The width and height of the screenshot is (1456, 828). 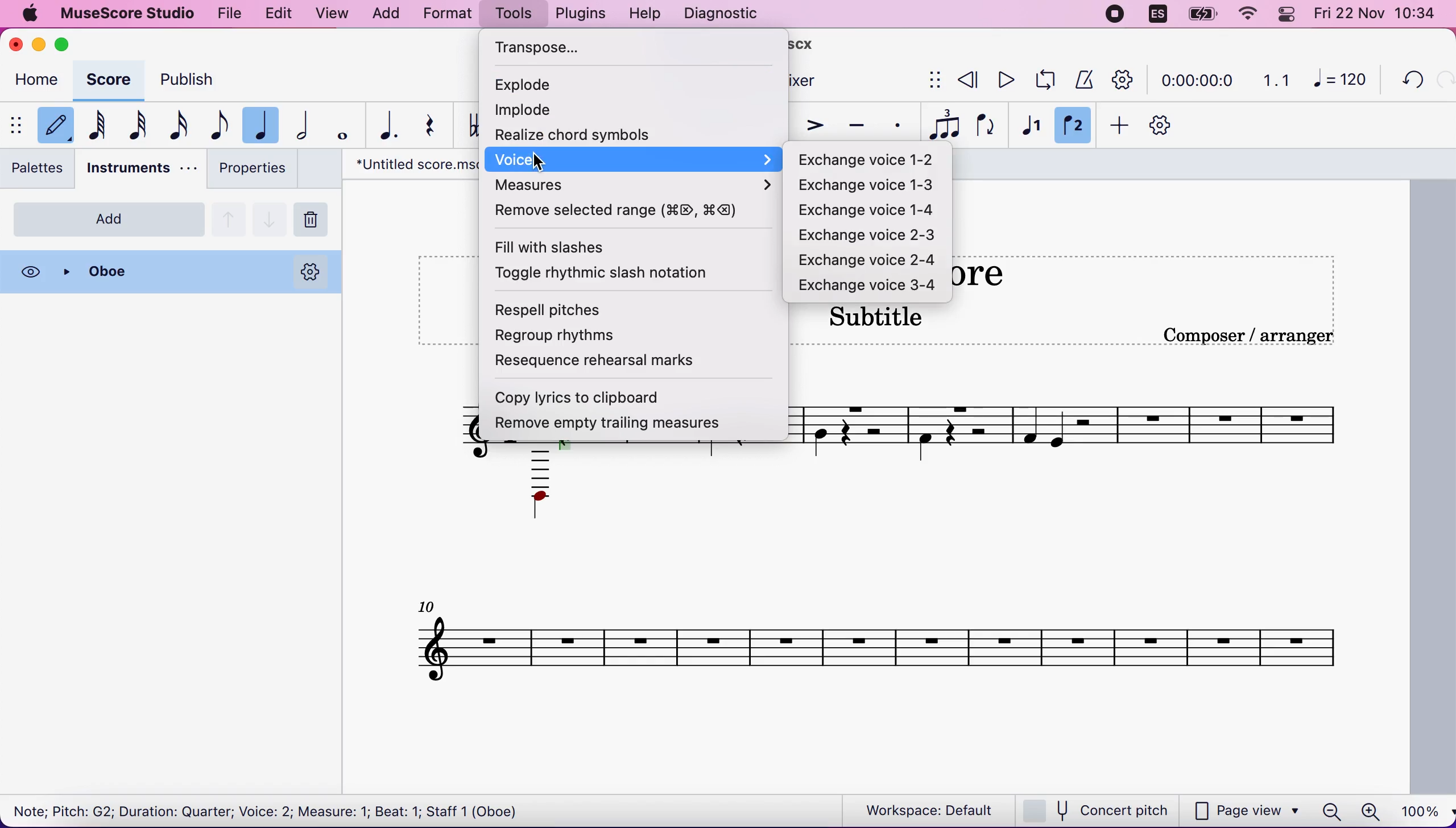 What do you see at coordinates (183, 125) in the screenshot?
I see `16th note` at bounding box center [183, 125].